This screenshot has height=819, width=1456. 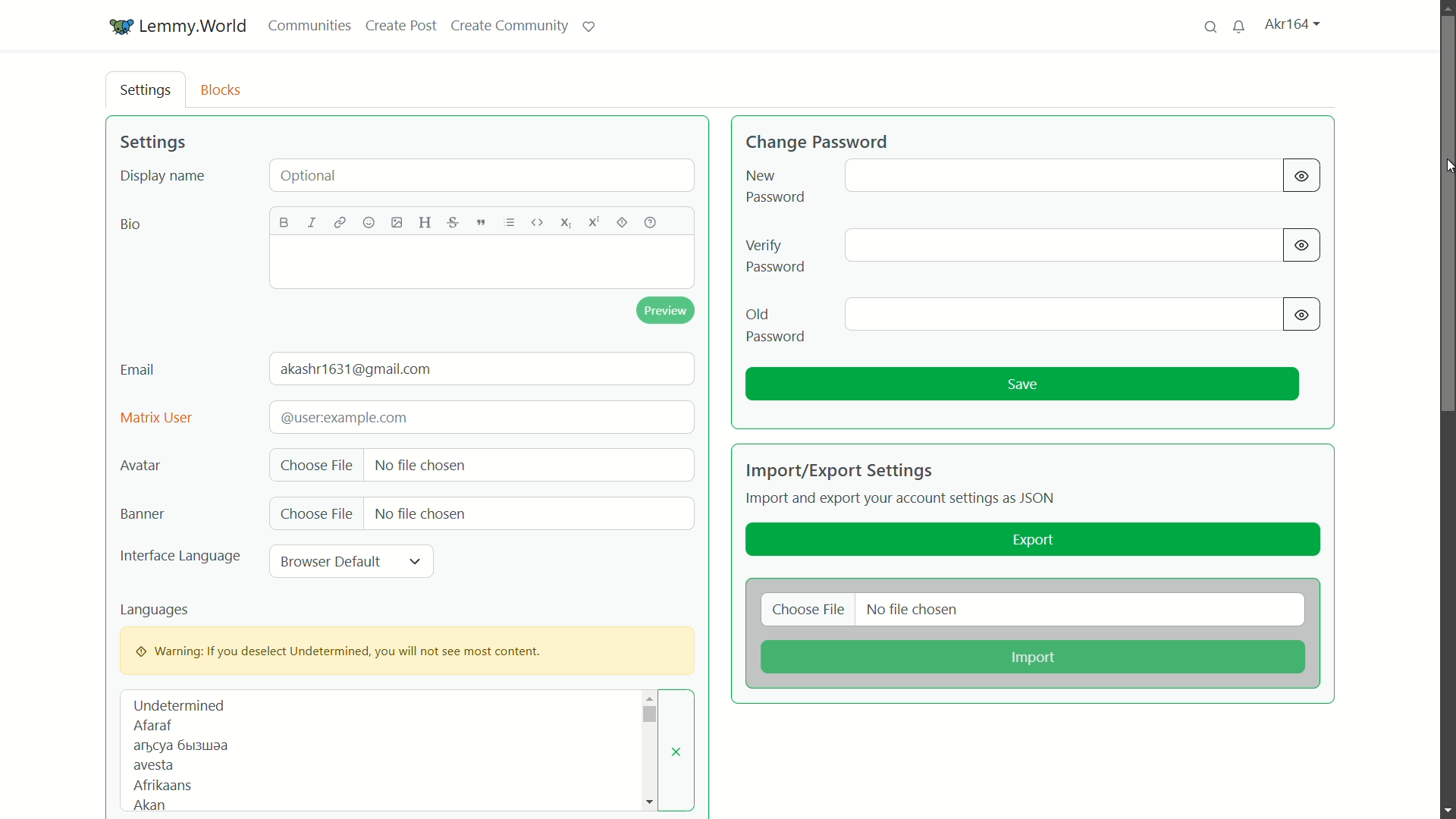 What do you see at coordinates (676, 752) in the screenshot?
I see `close` at bounding box center [676, 752].